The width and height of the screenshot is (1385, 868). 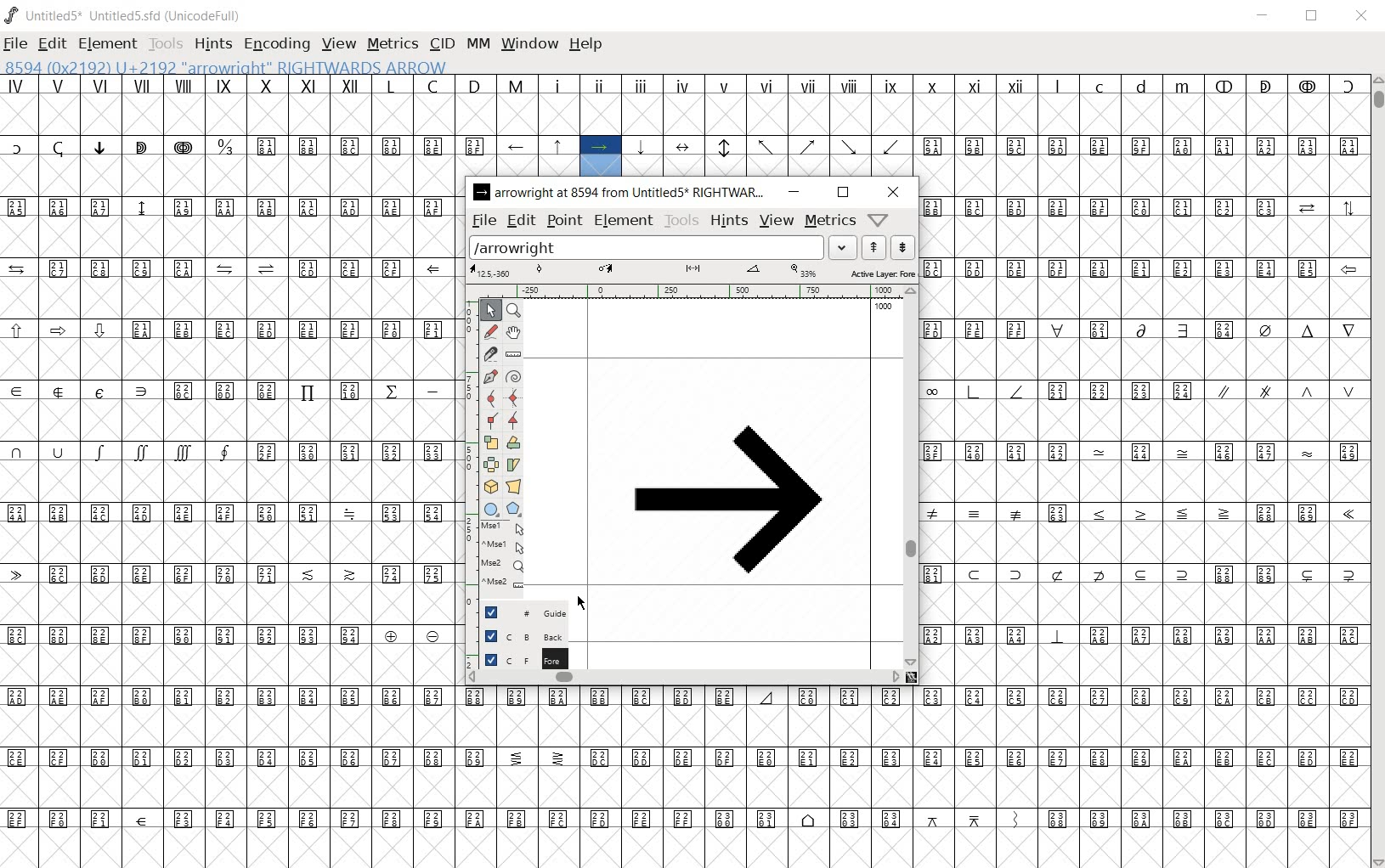 What do you see at coordinates (52, 45) in the screenshot?
I see `EDIT` at bounding box center [52, 45].